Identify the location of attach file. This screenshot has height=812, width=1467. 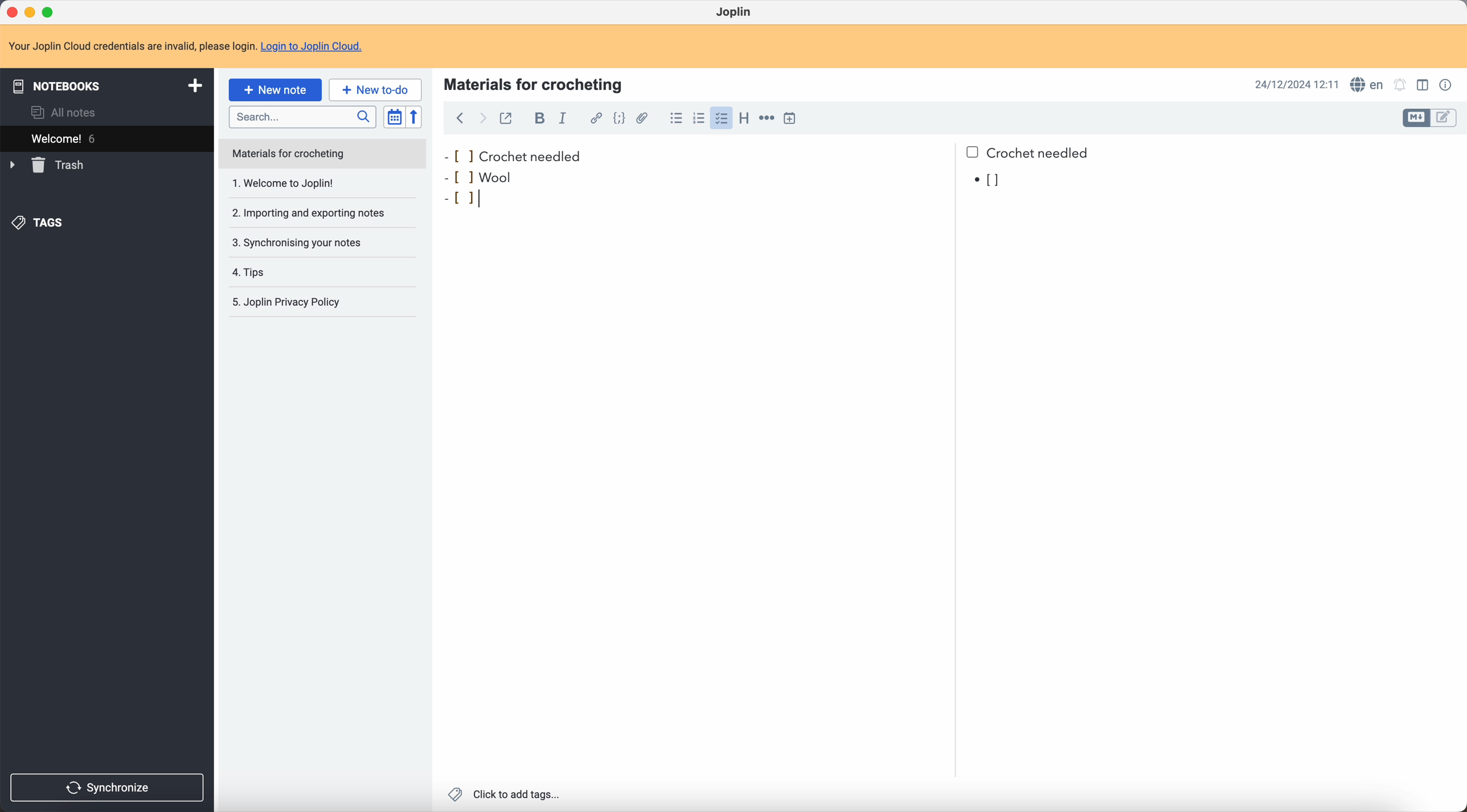
(645, 118).